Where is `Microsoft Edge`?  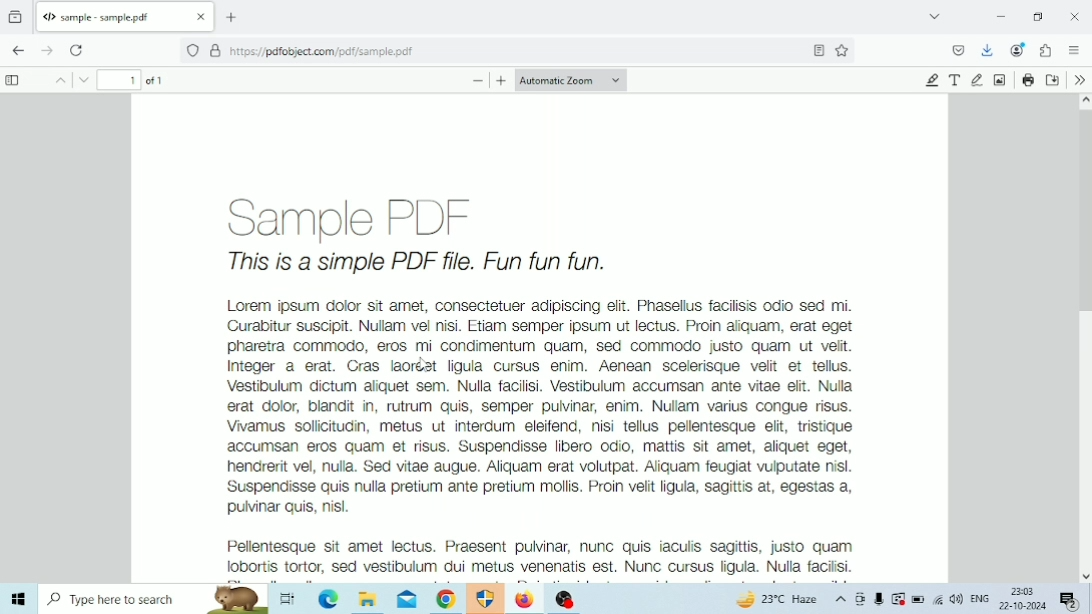 Microsoft Edge is located at coordinates (328, 599).